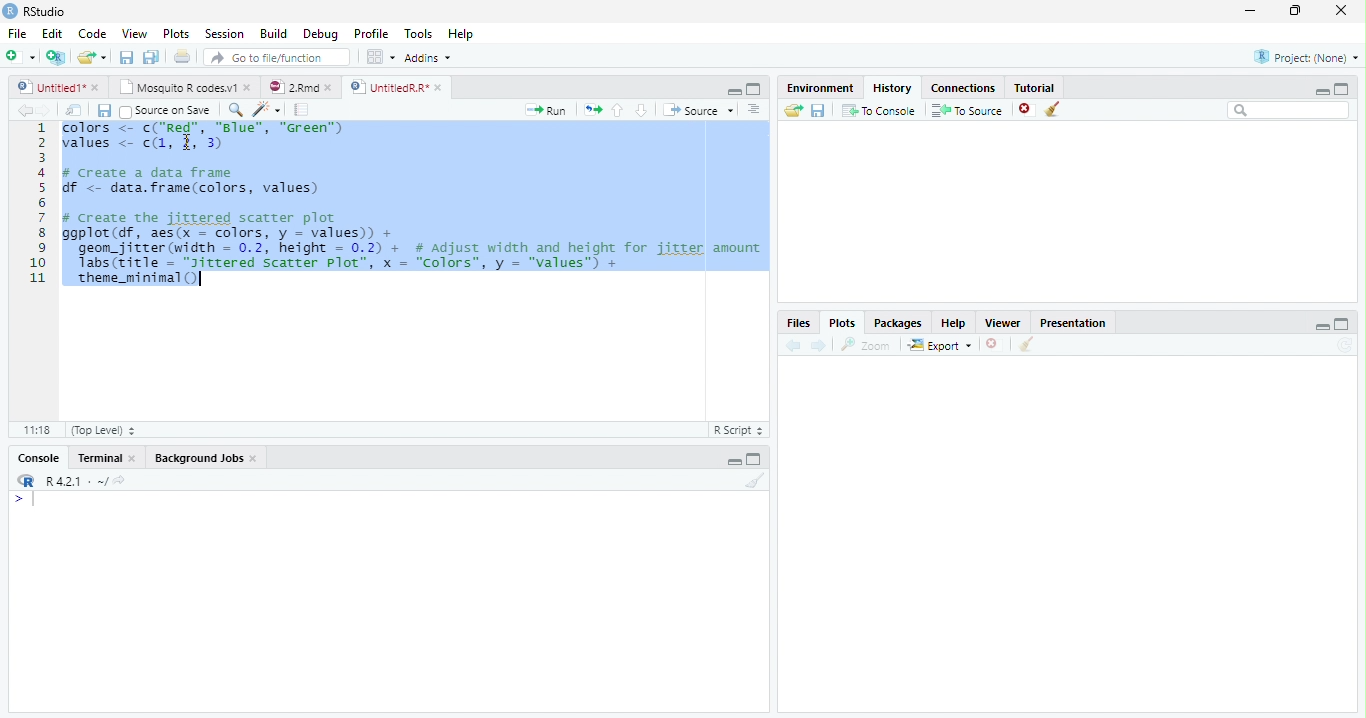  What do you see at coordinates (893, 88) in the screenshot?
I see `History` at bounding box center [893, 88].